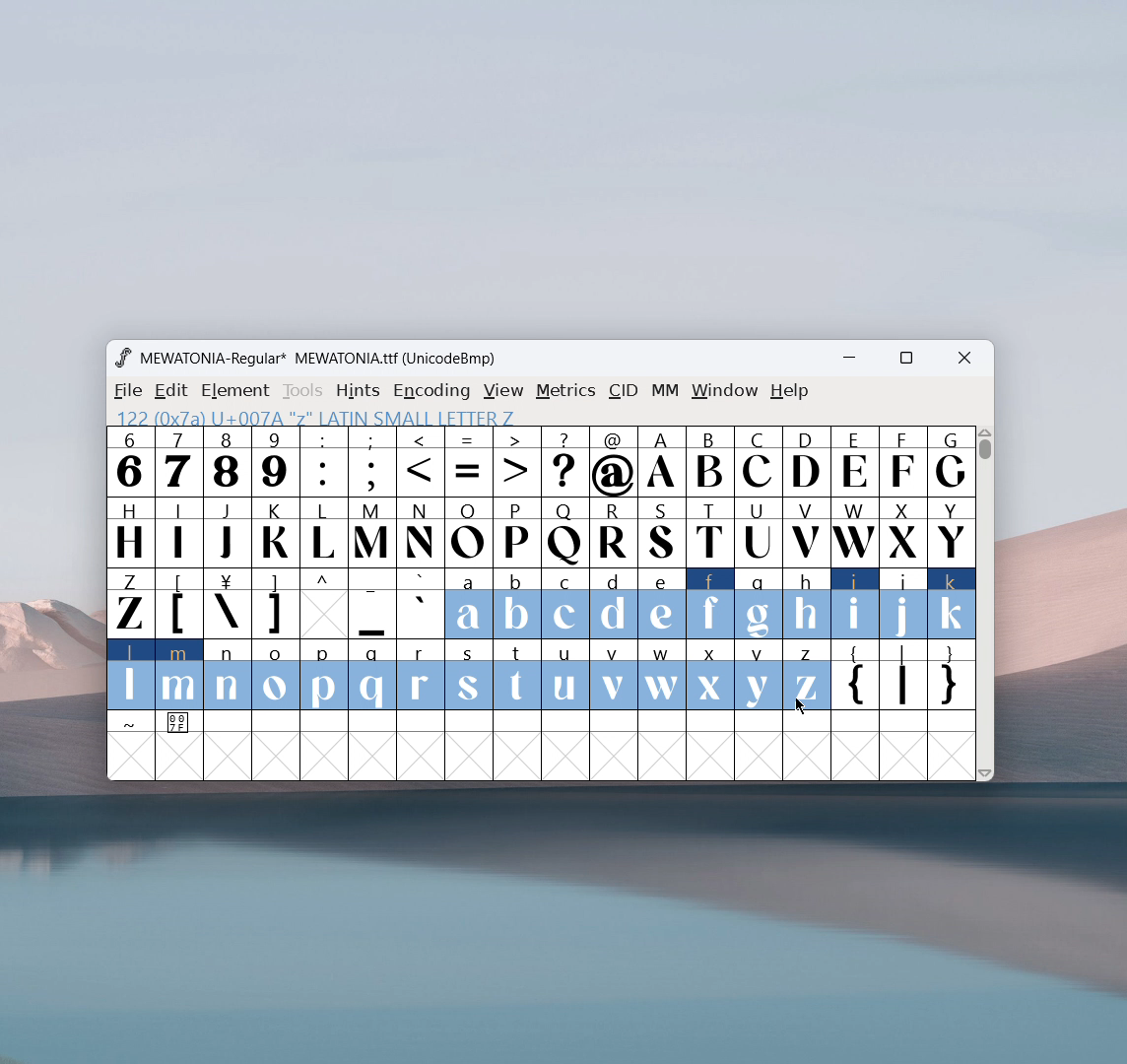 The image size is (1127, 1064). What do you see at coordinates (905, 361) in the screenshot?
I see `maximize` at bounding box center [905, 361].